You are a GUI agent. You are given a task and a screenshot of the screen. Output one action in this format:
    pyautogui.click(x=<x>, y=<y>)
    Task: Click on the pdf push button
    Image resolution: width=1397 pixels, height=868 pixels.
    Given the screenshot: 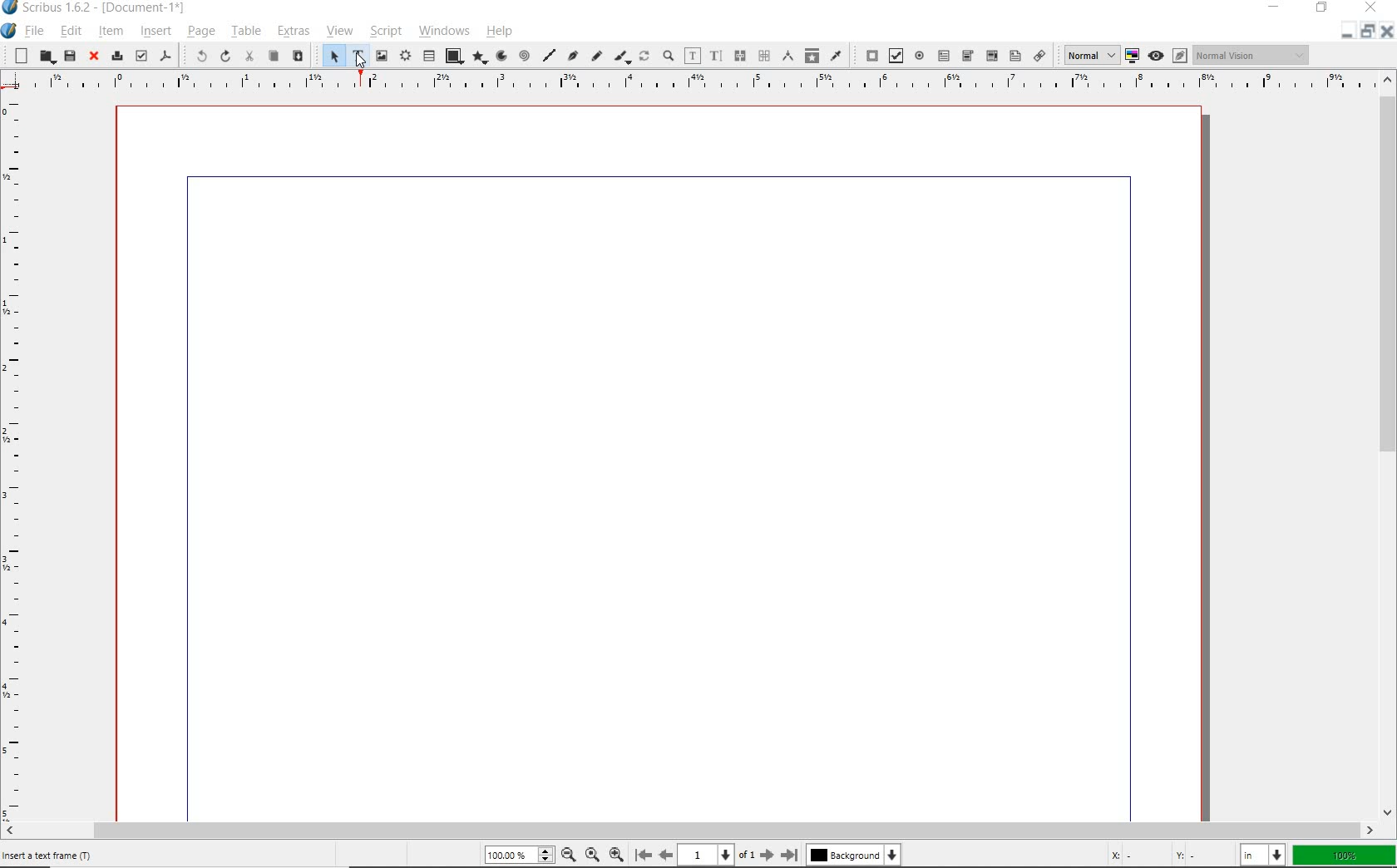 What is the action you would take?
    pyautogui.click(x=867, y=55)
    